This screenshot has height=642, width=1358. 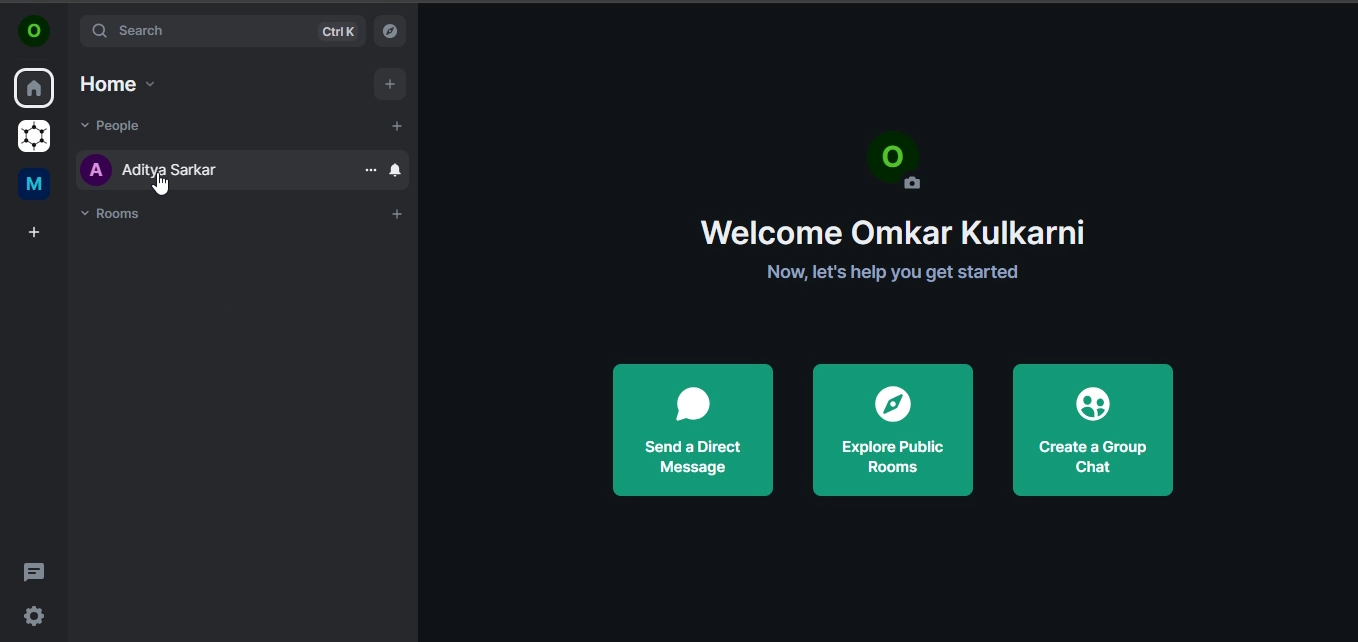 I want to click on threads, so click(x=34, y=570).